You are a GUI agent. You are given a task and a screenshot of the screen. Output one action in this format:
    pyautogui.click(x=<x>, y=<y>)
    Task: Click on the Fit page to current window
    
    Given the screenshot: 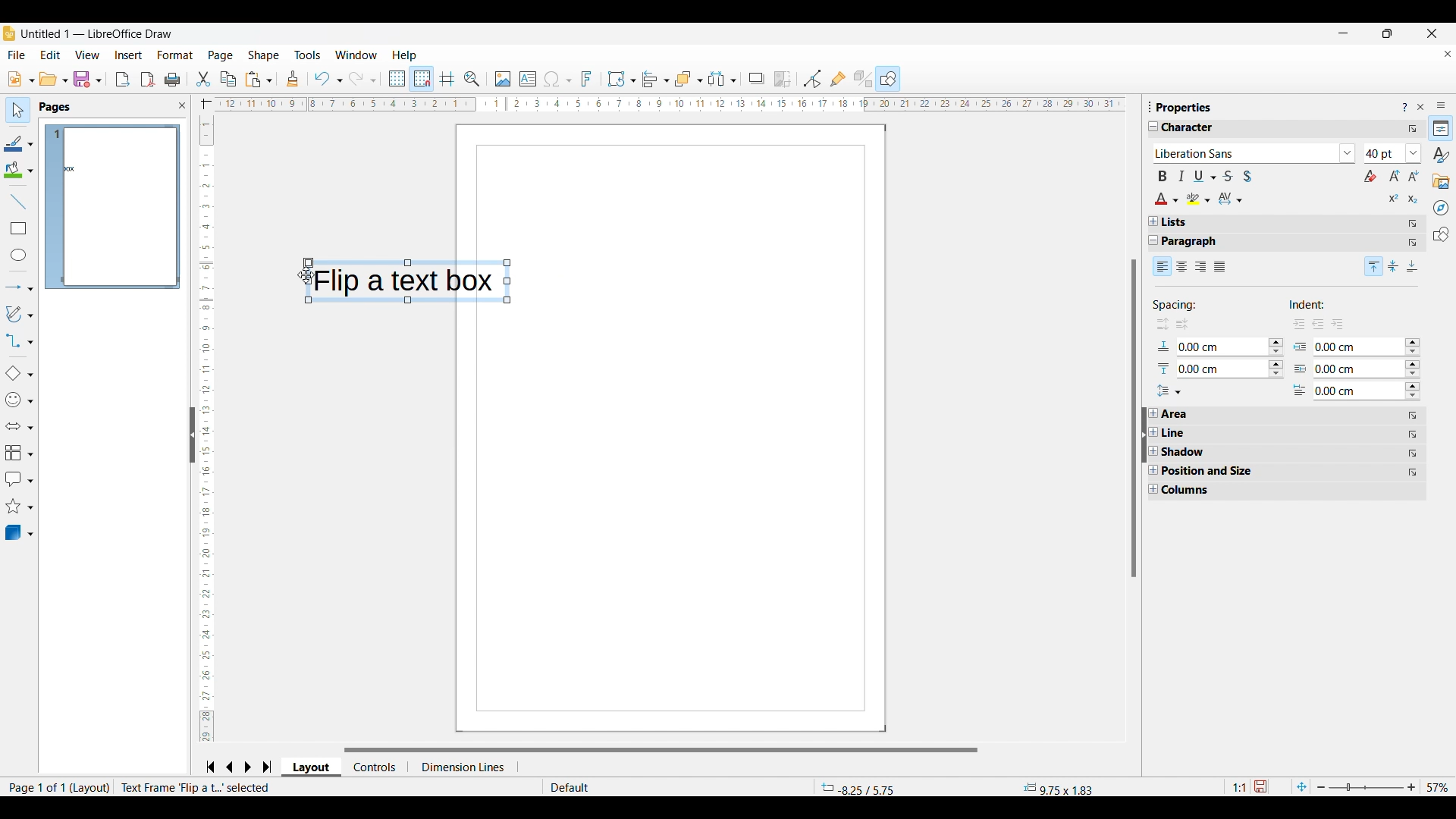 What is the action you would take?
    pyautogui.click(x=1302, y=786)
    